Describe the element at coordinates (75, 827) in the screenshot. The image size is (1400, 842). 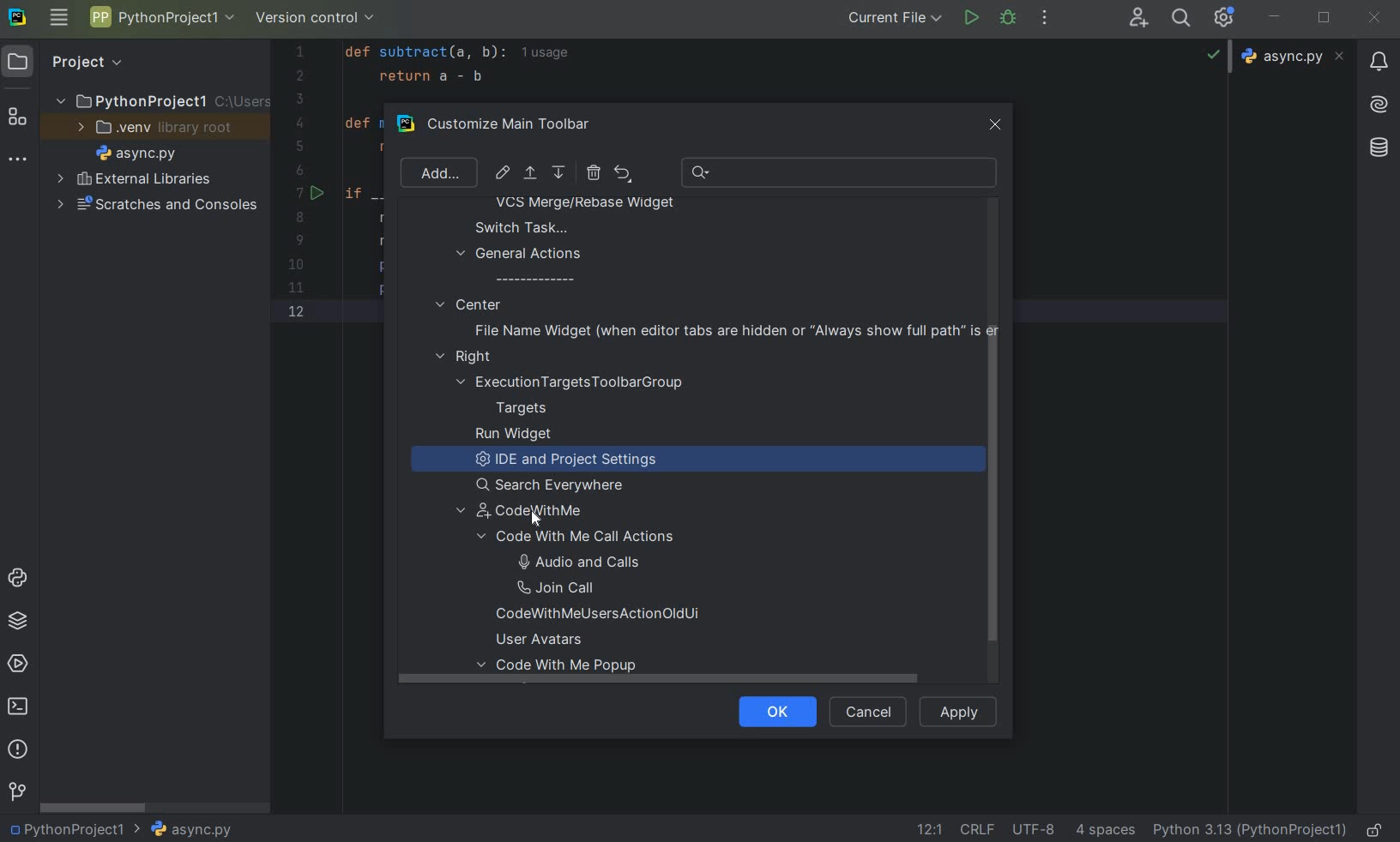
I see `PROJECT NAME` at that location.